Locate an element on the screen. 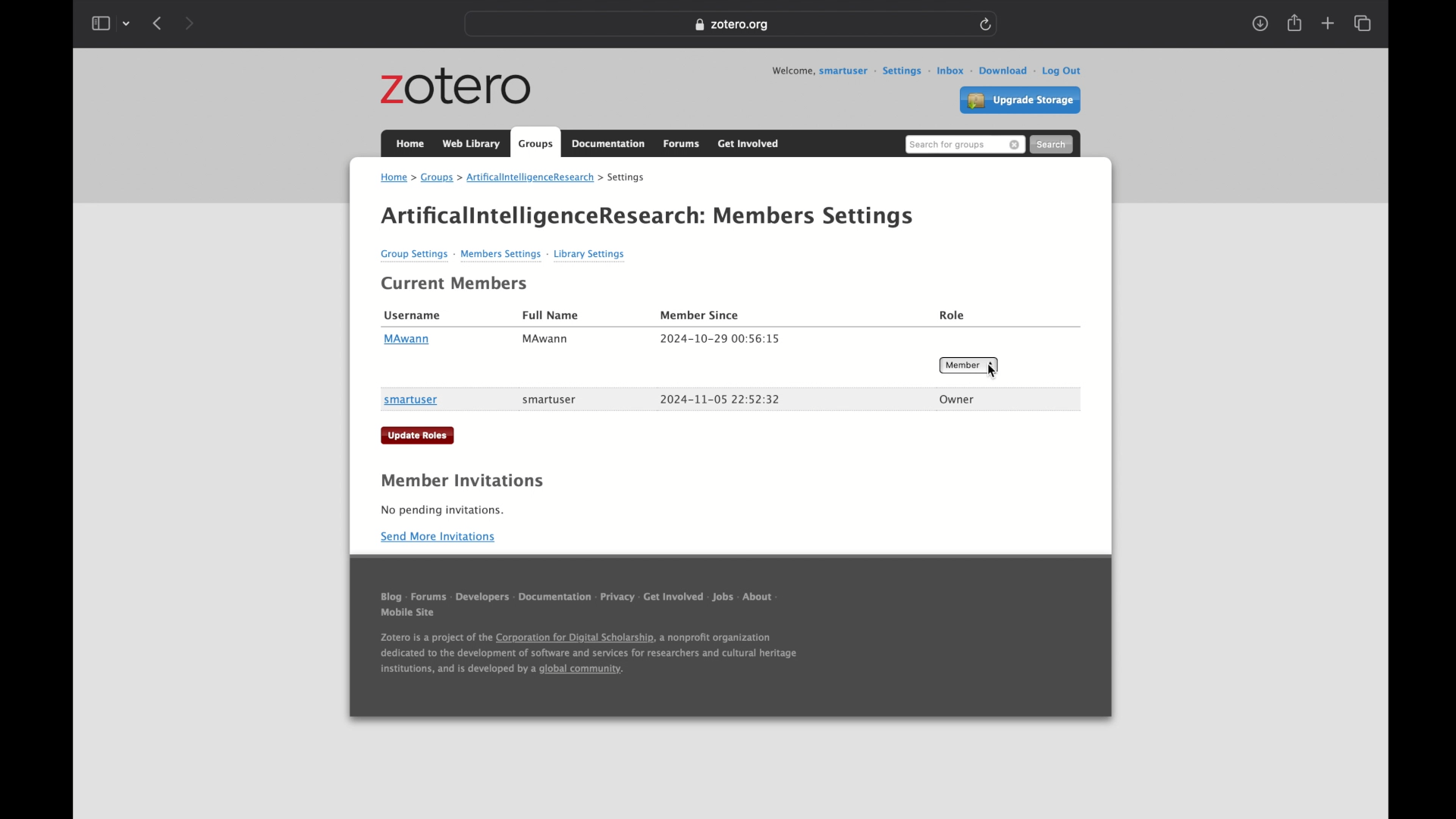 This screenshot has width=1456, height=819. role is located at coordinates (953, 316).